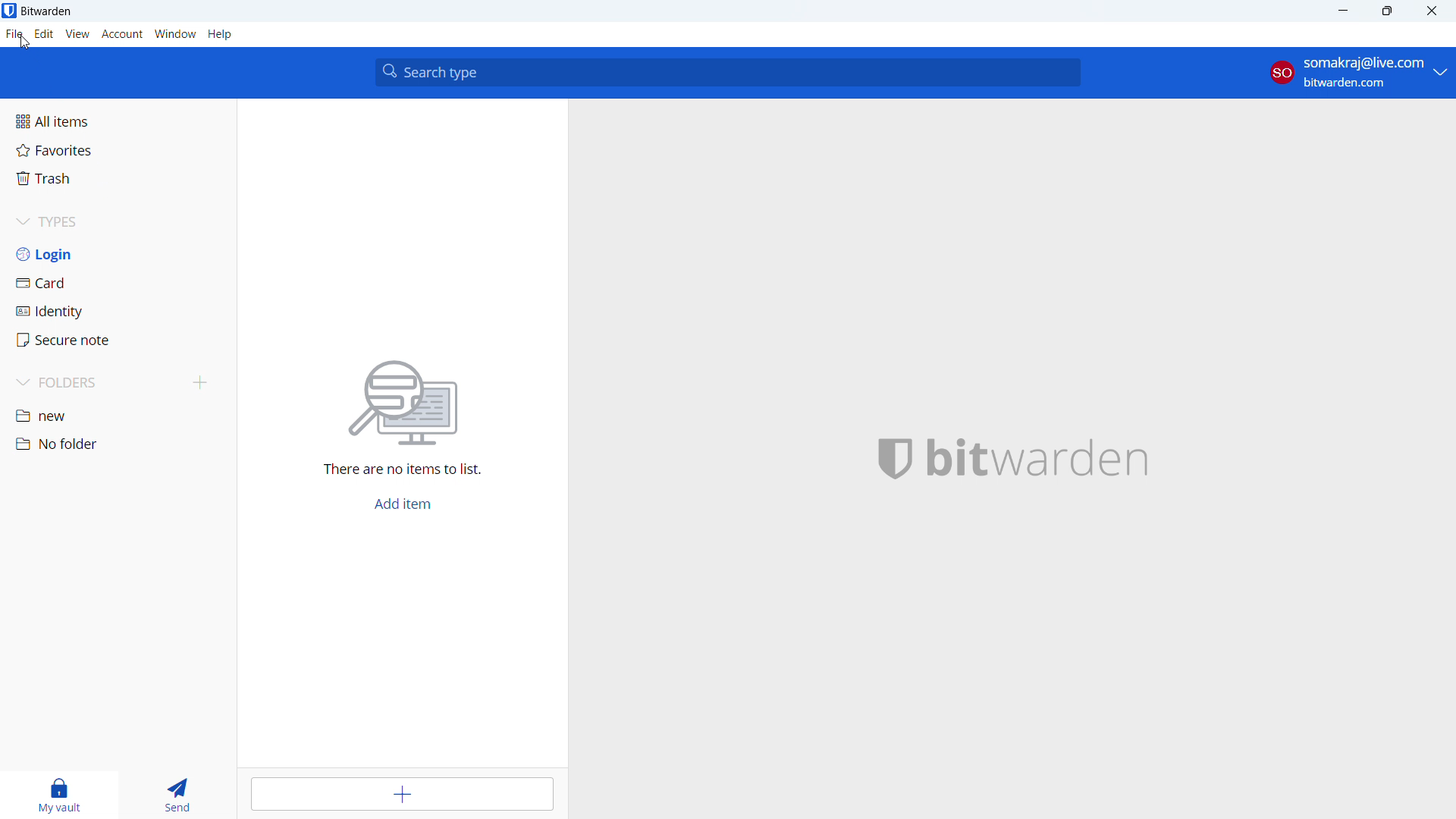 Image resolution: width=1456 pixels, height=819 pixels. I want to click on add item, so click(403, 794).